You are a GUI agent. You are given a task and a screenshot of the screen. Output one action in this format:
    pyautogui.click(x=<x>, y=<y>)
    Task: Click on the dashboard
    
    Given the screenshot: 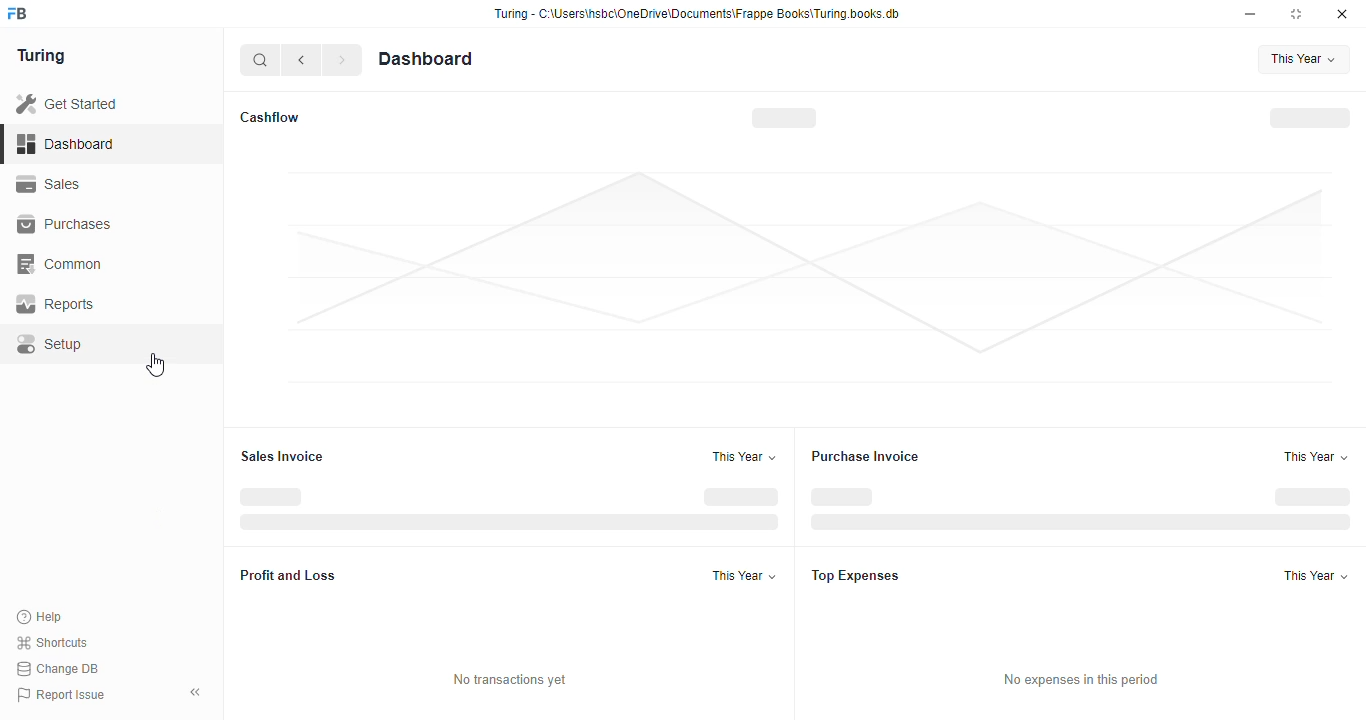 What is the action you would take?
    pyautogui.click(x=426, y=58)
    